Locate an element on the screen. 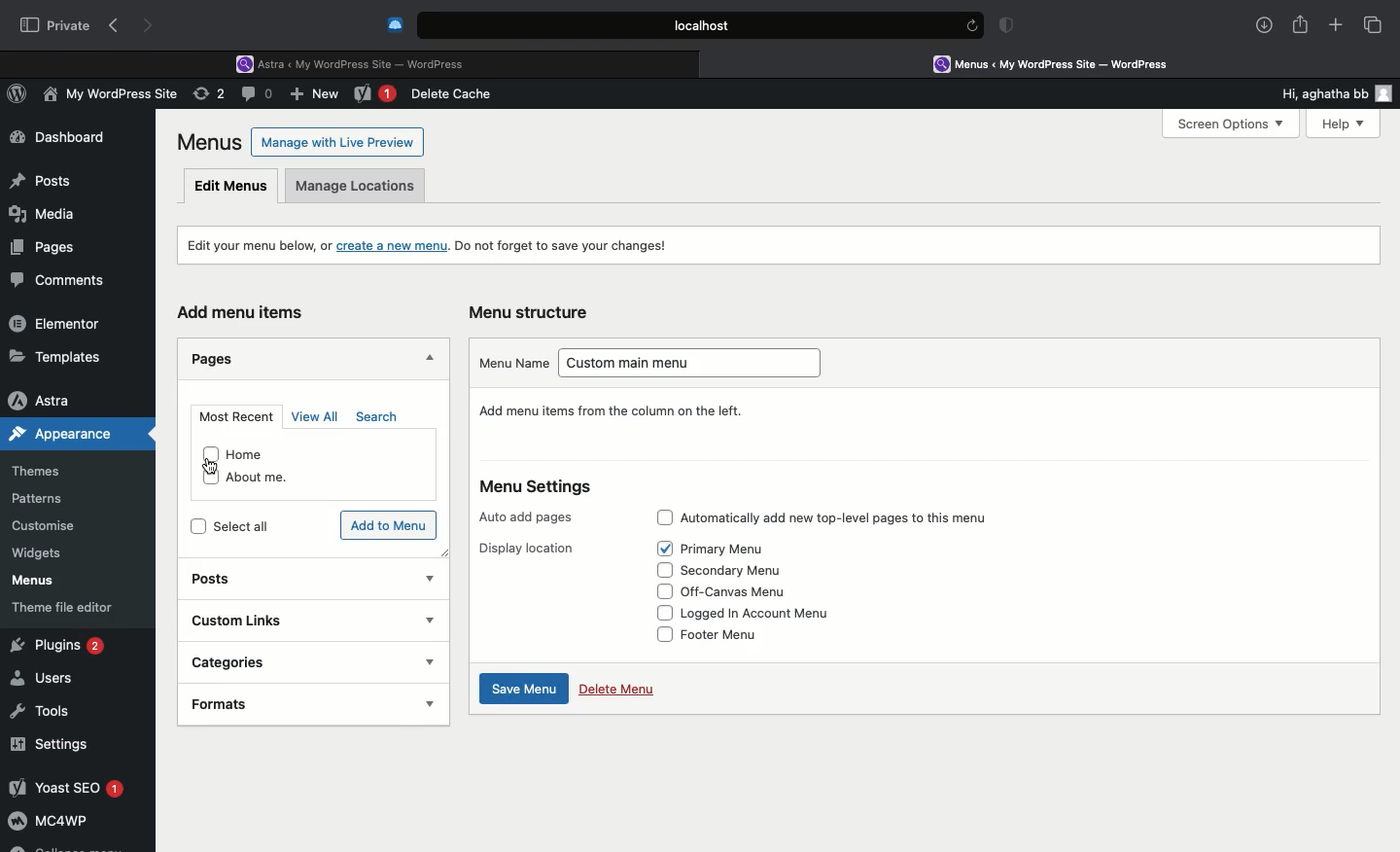 Image resolution: width=1400 pixels, height=852 pixels. Menus is located at coordinates (211, 142).